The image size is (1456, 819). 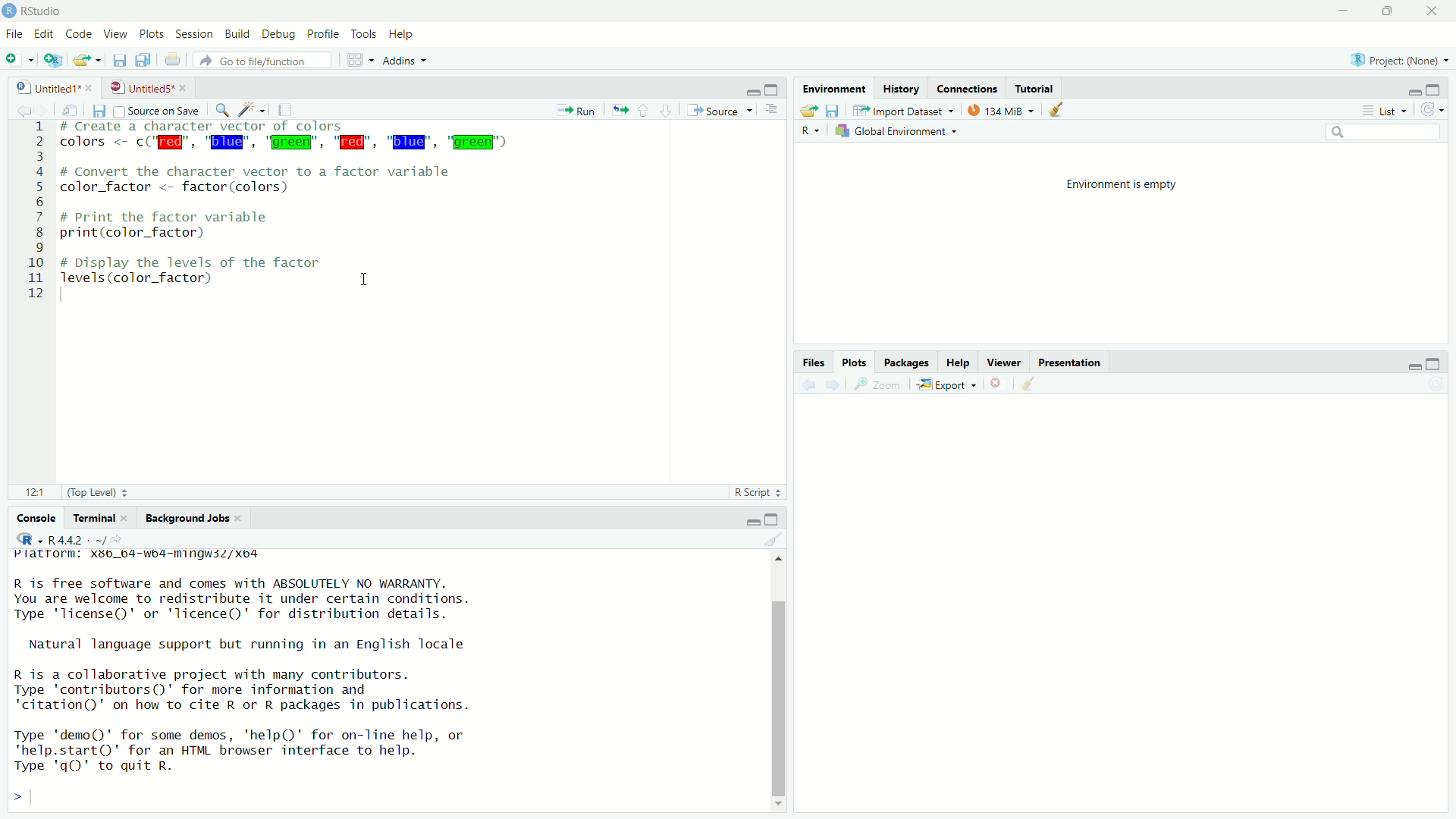 What do you see at coordinates (901, 132) in the screenshot?
I see `global environment` at bounding box center [901, 132].